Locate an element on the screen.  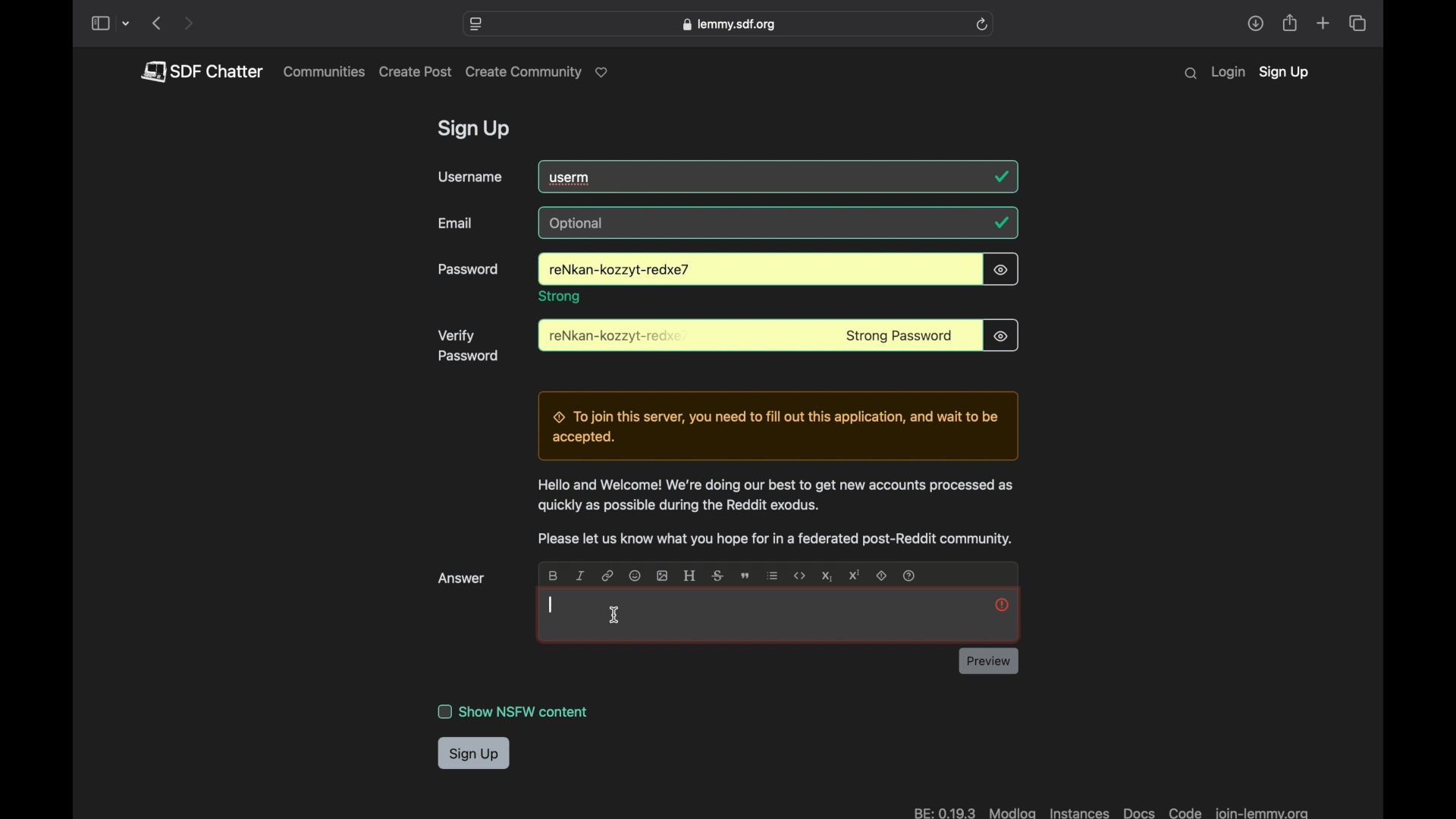
show tab overview is located at coordinates (1357, 24).